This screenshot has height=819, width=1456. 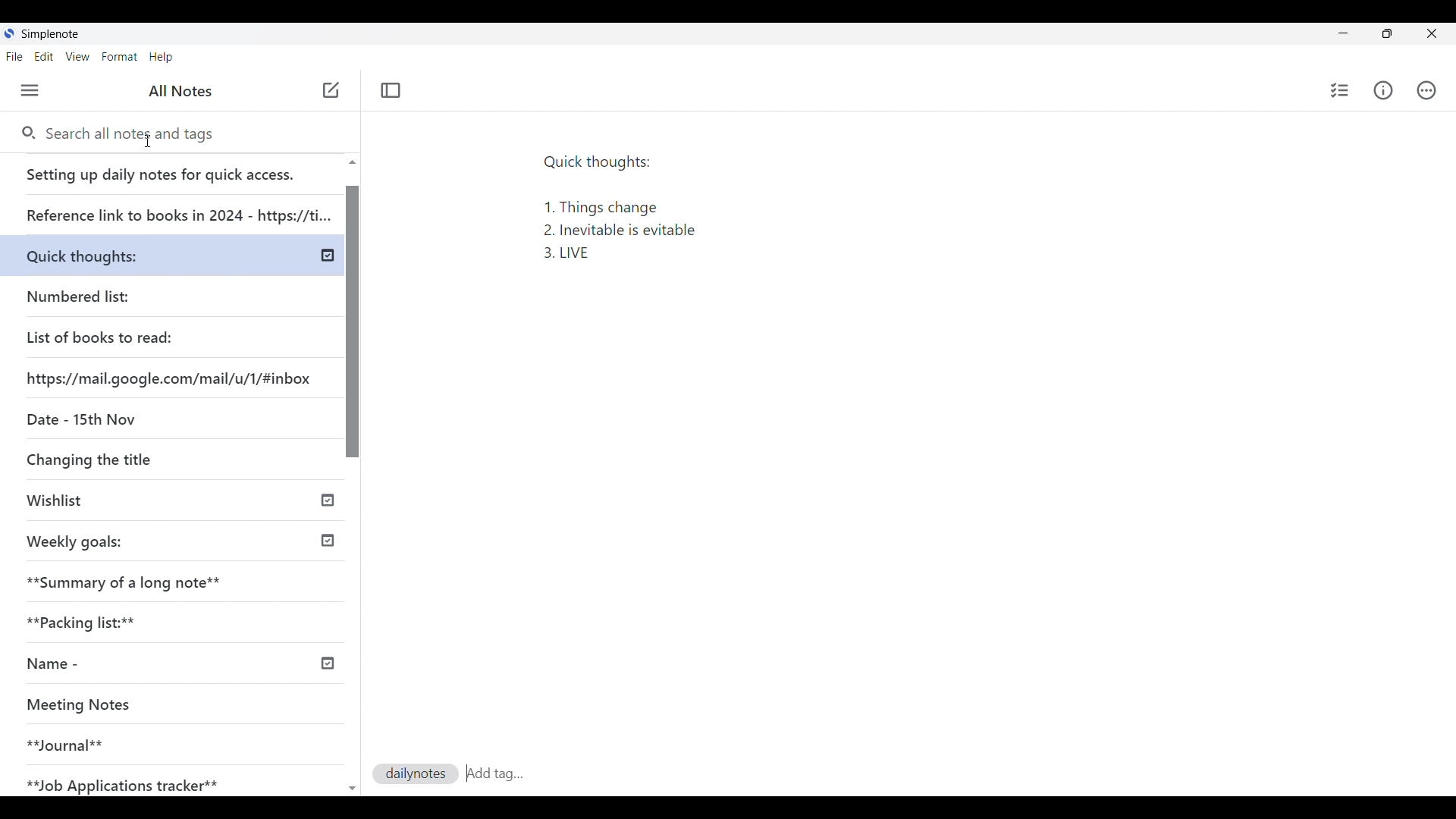 What do you see at coordinates (179, 620) in the screenshot?
I see `Packing lists` at bounding box center [179, 620].